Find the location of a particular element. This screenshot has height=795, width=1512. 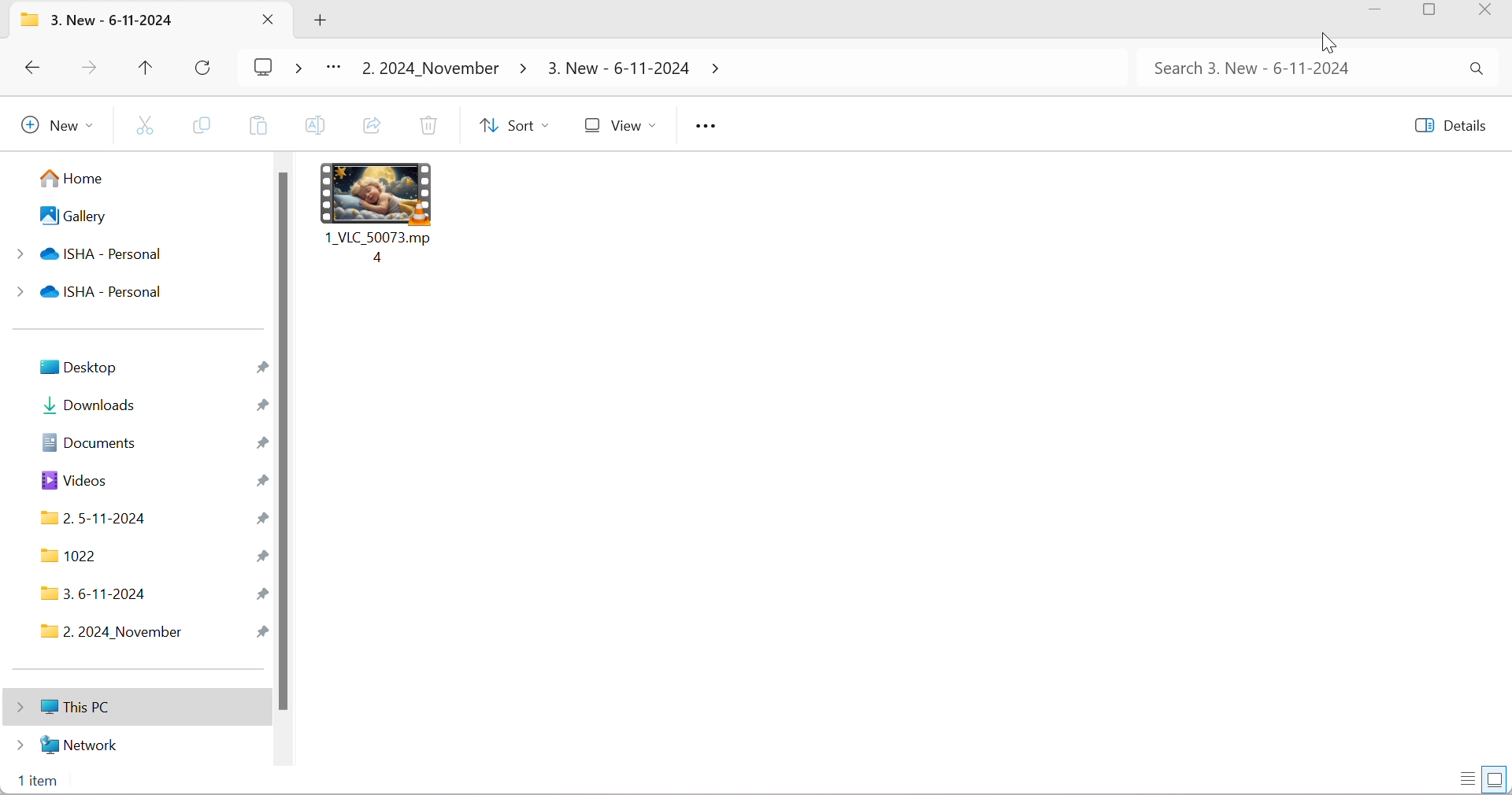

Gallery is located at coordinates (74, 216).